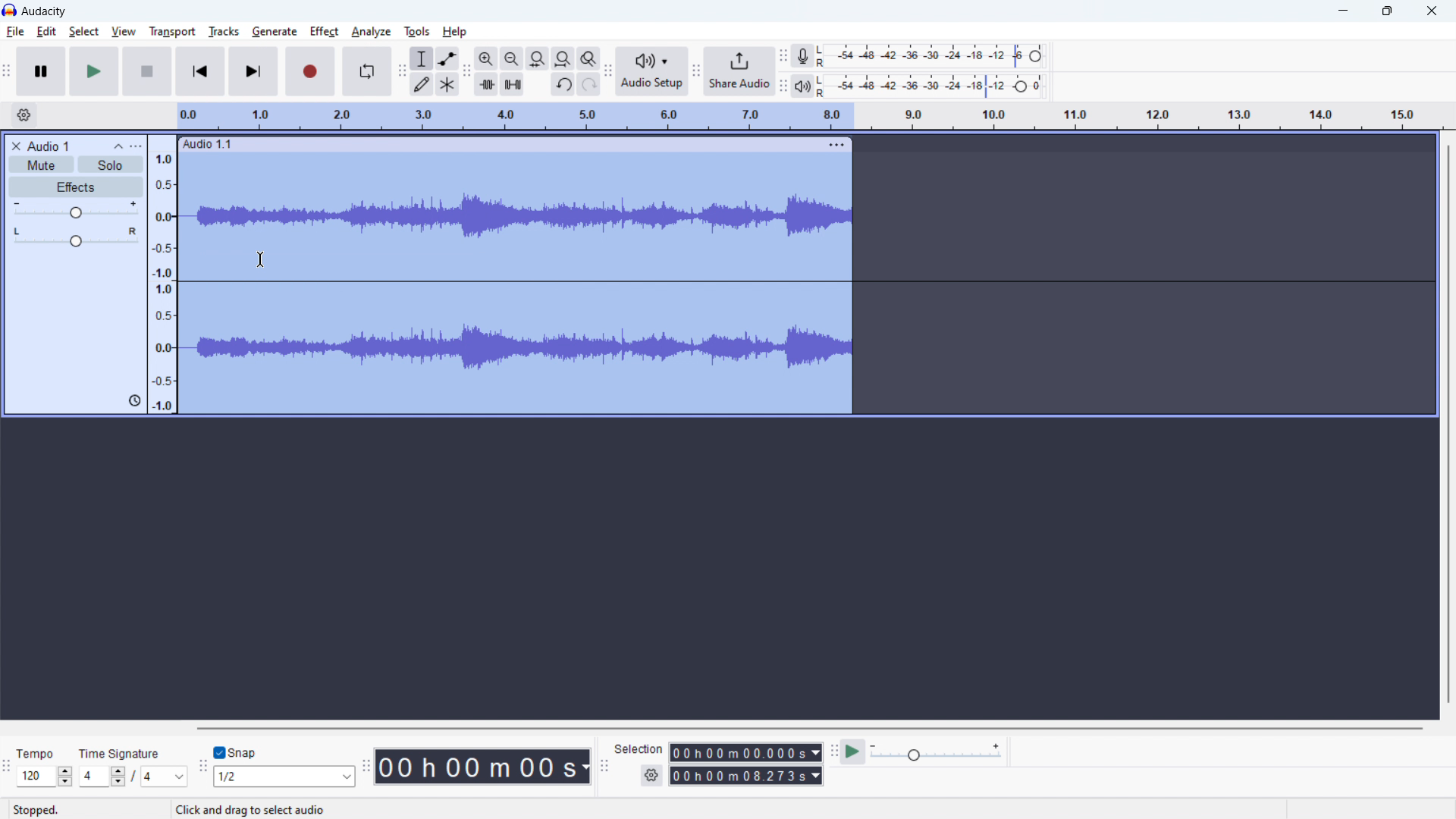  Describe the element at coordinates (325, 32) in the screenshot. I see `effect` at that location.